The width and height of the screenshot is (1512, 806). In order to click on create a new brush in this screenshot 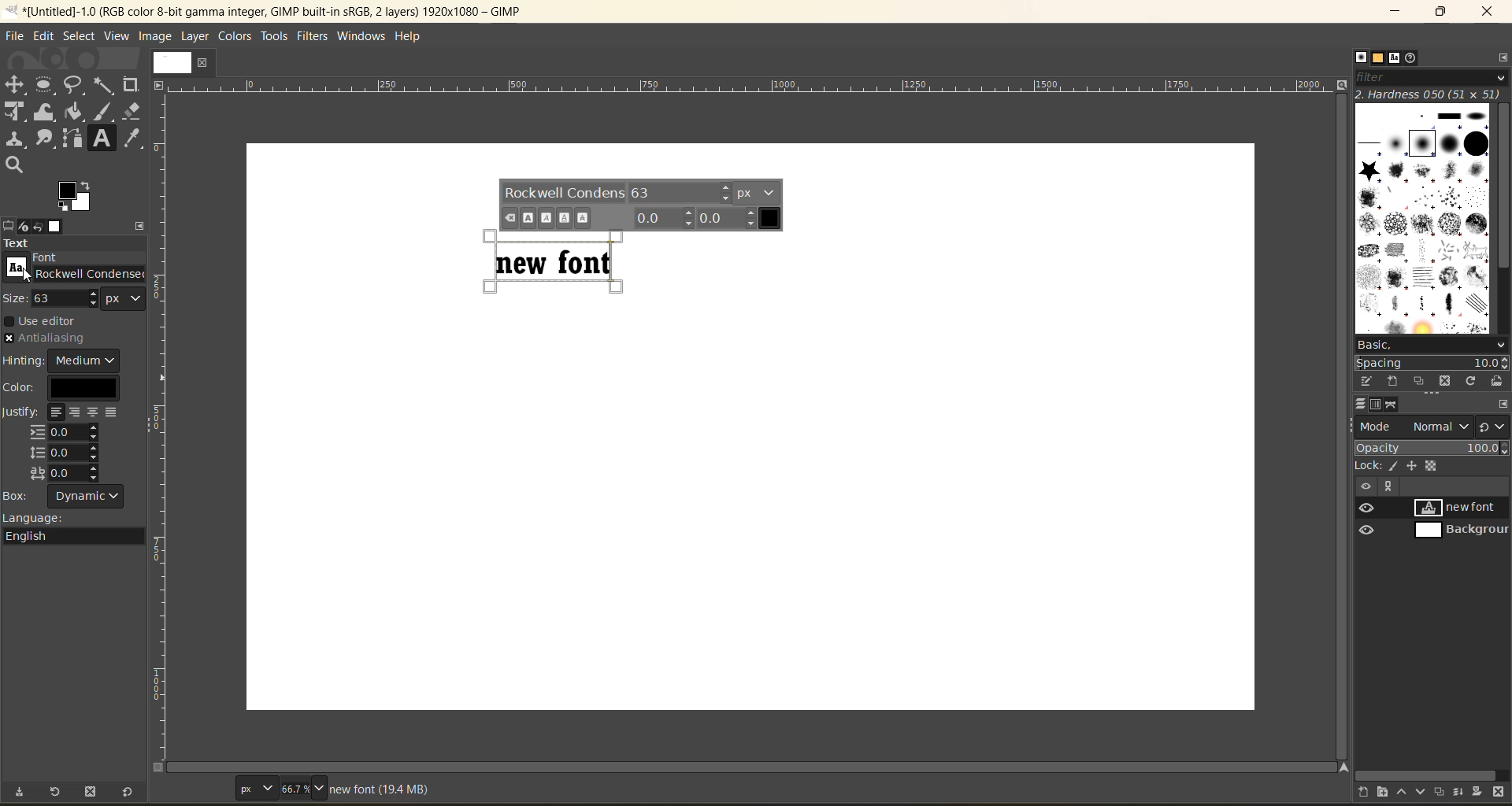, I will do `click(1392, 383)`.